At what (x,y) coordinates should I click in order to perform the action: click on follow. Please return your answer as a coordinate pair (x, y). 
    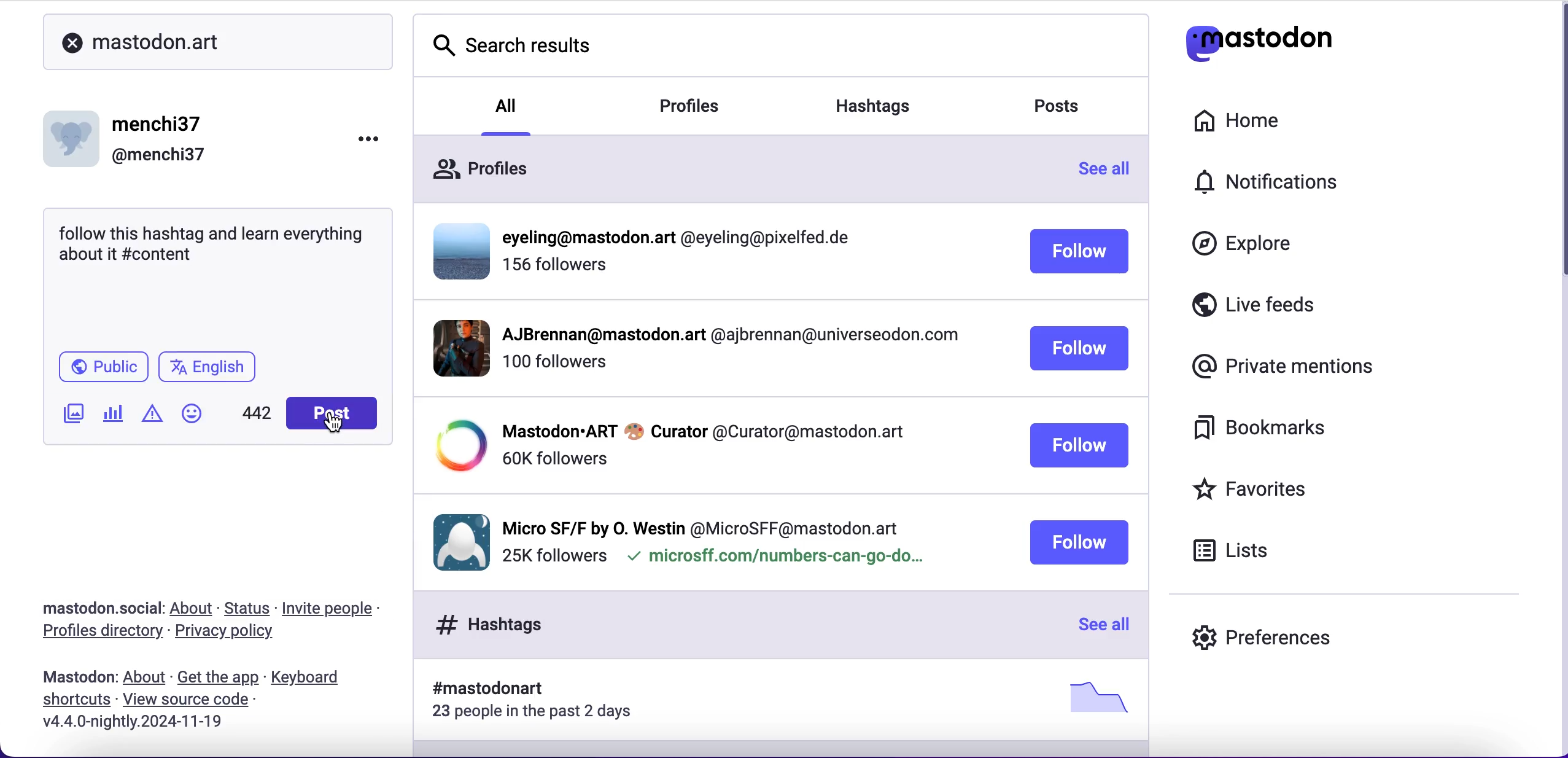
    Looking at the image, I should click on (1080, 350).